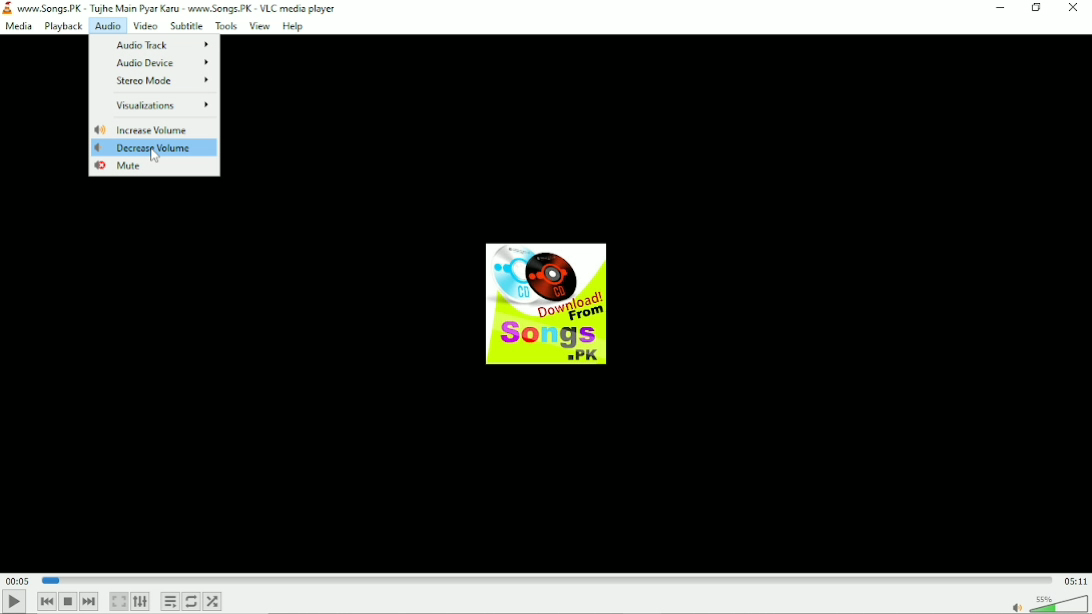  Describe the element at coordinates (213, 601) in the screenshot. I see `Random` at that location.